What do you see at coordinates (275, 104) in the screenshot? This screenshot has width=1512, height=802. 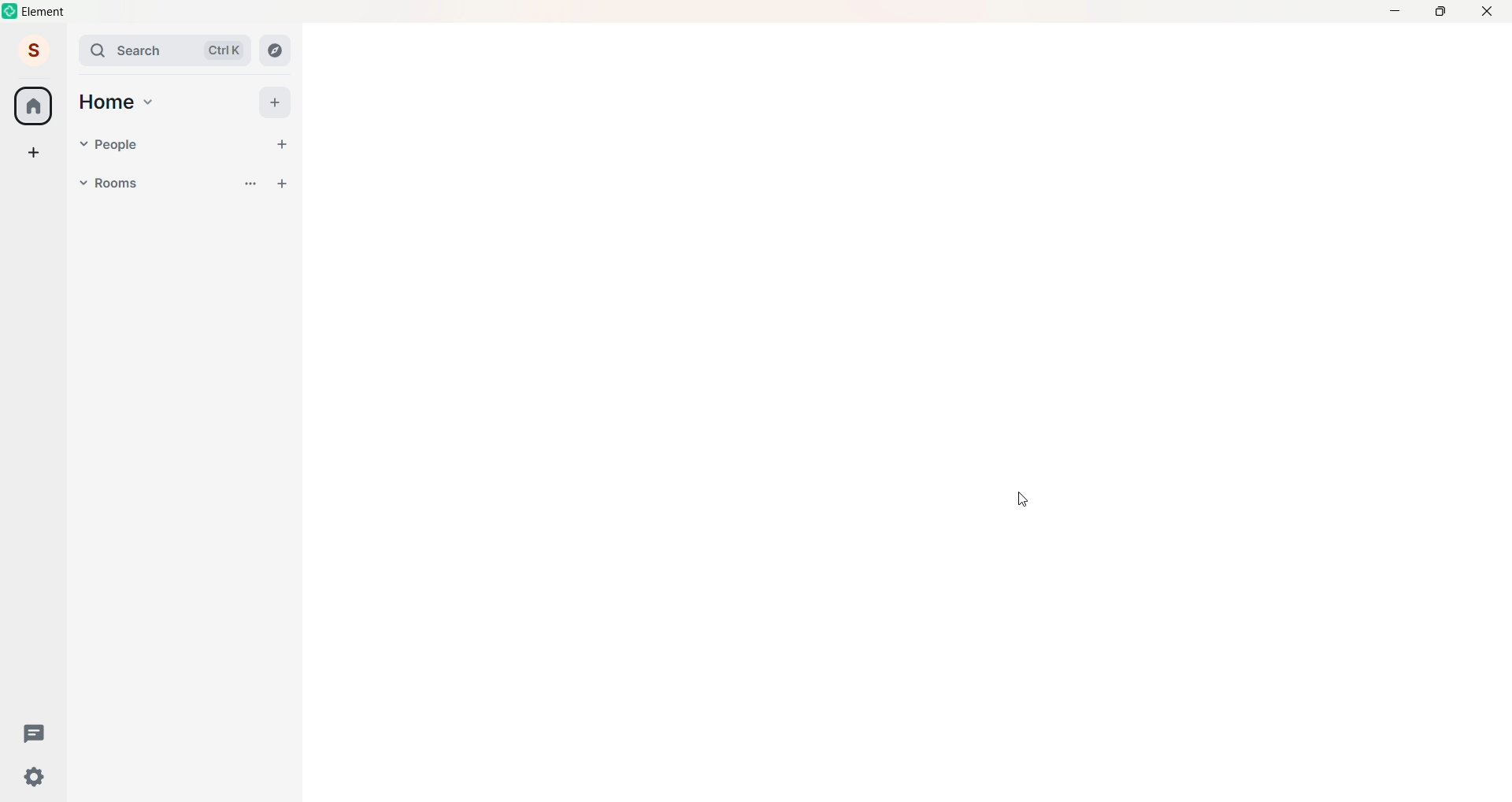 I see `Add` at bounding box center [275, 104].